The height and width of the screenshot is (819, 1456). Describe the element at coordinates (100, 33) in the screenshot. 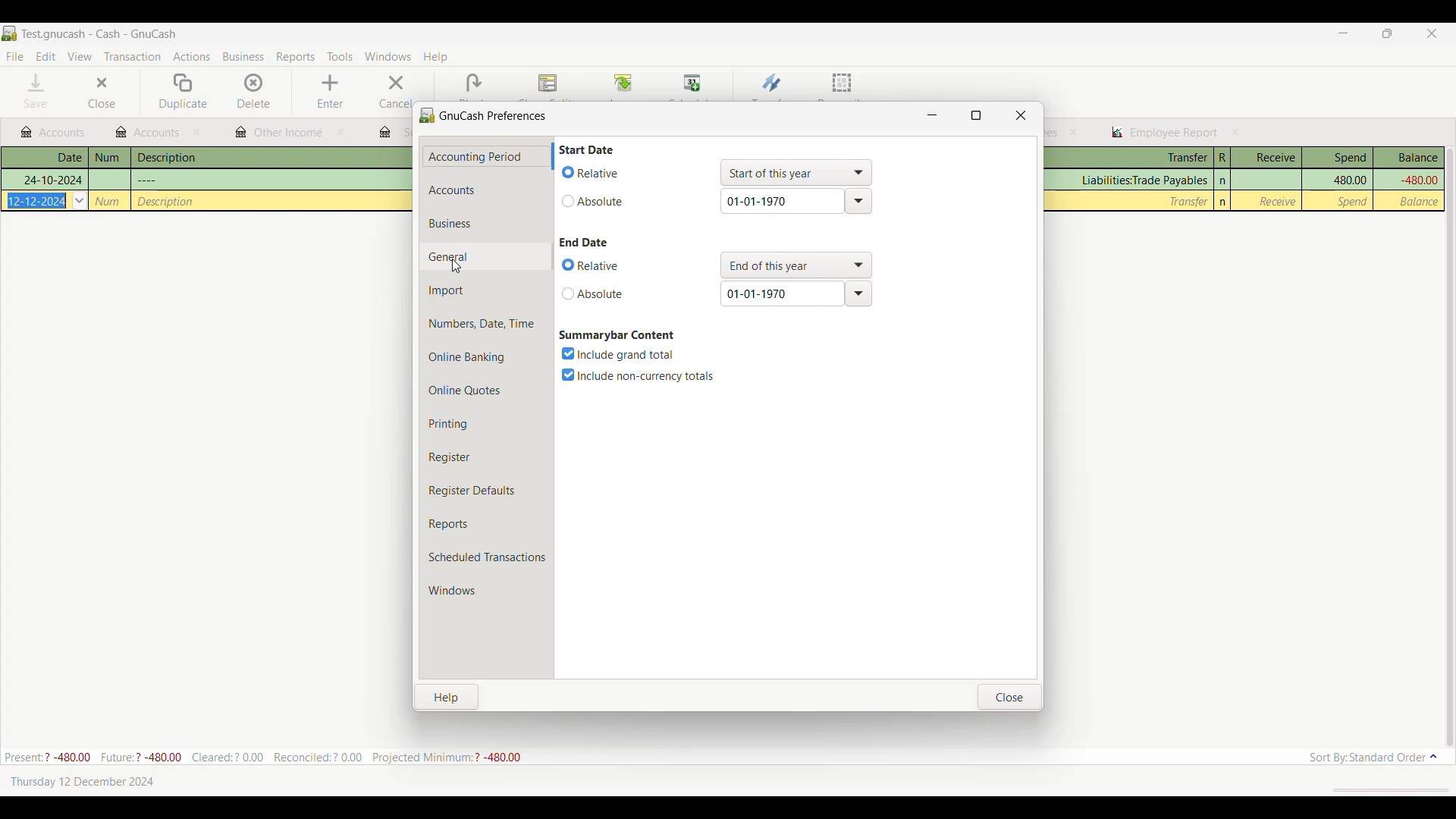

I see `Name of current budget tab and software` at that location.